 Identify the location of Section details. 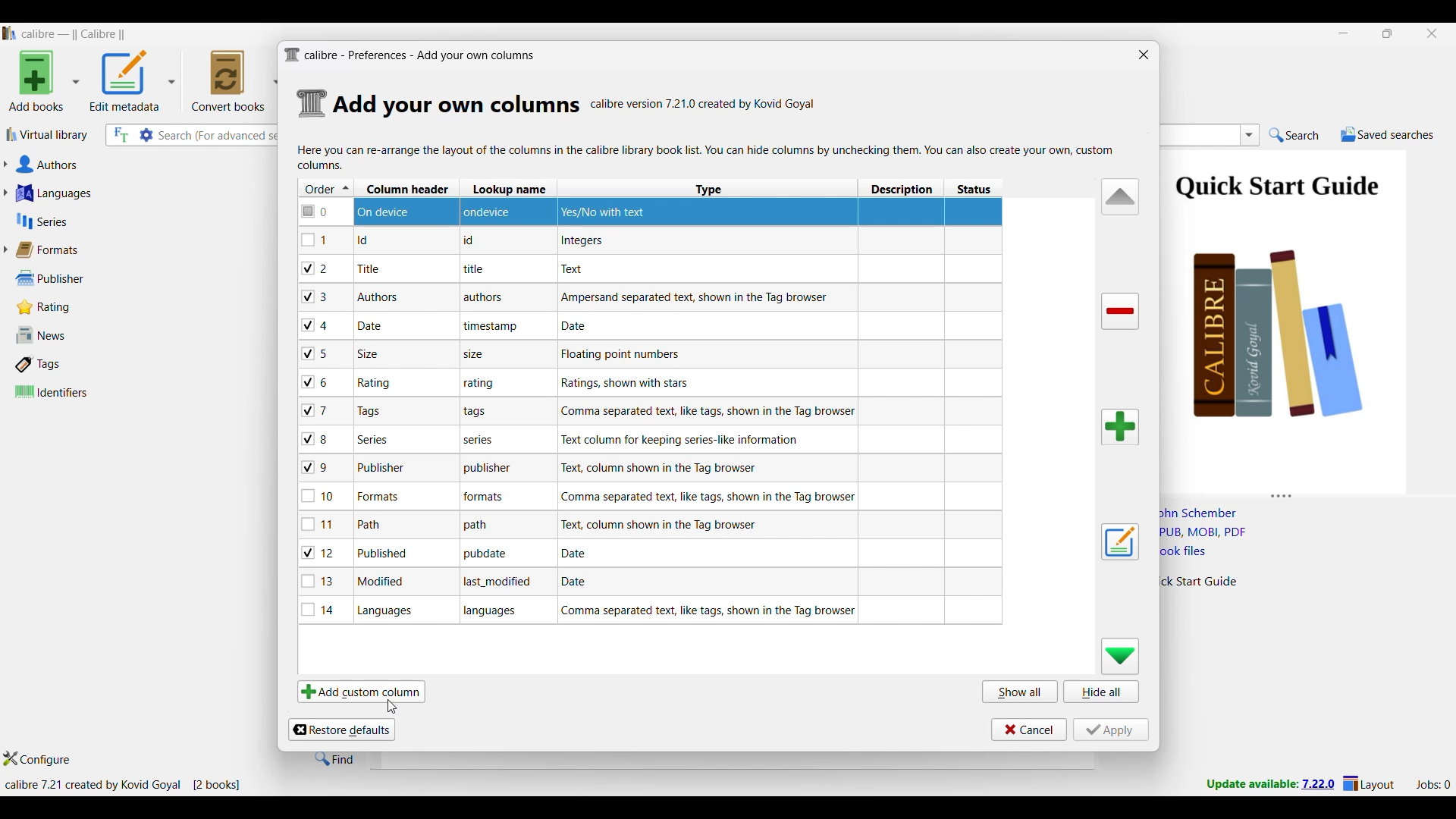
(457, 105).